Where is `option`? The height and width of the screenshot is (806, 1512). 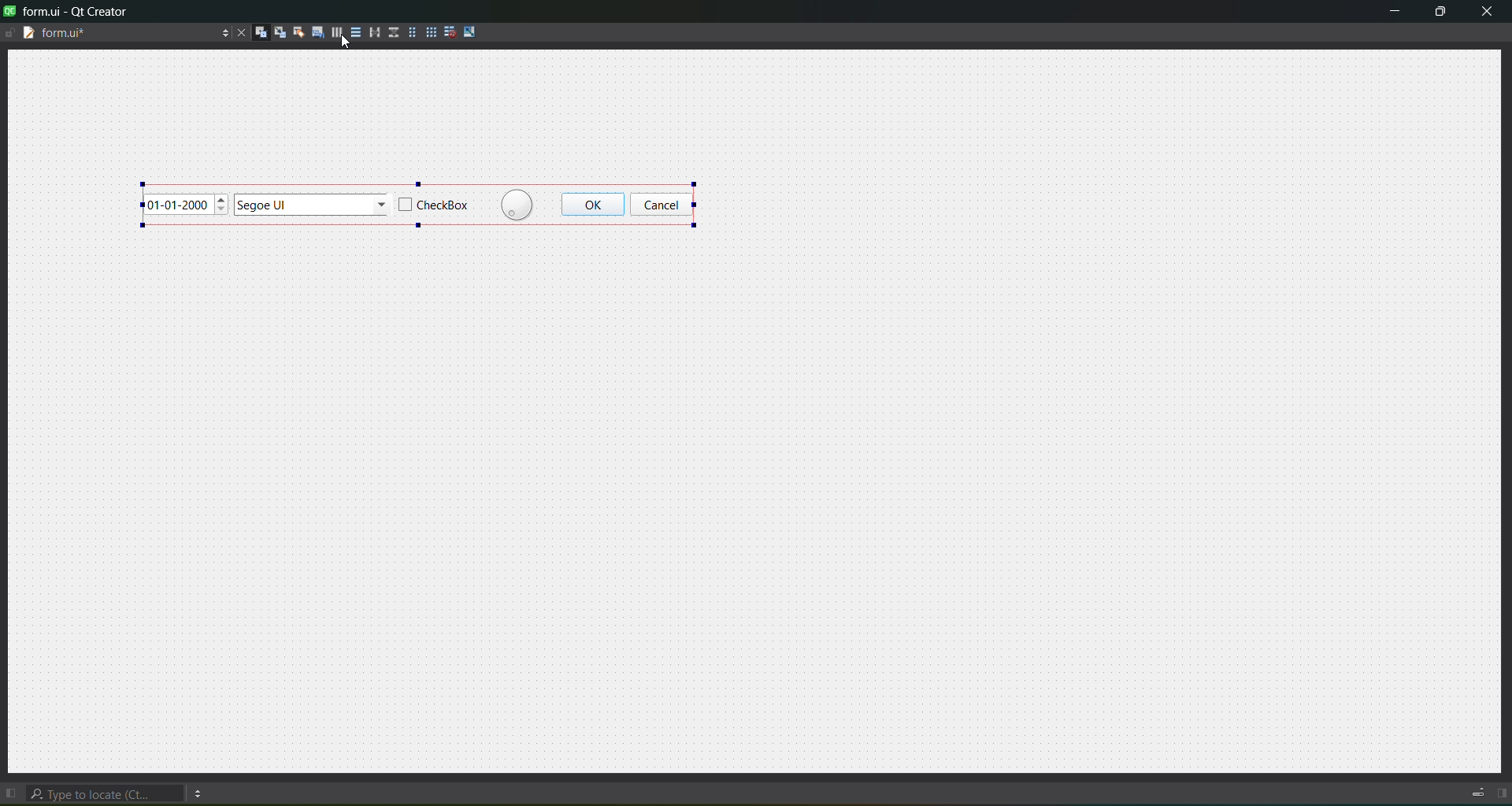
option is located at coordinates (201, 792).